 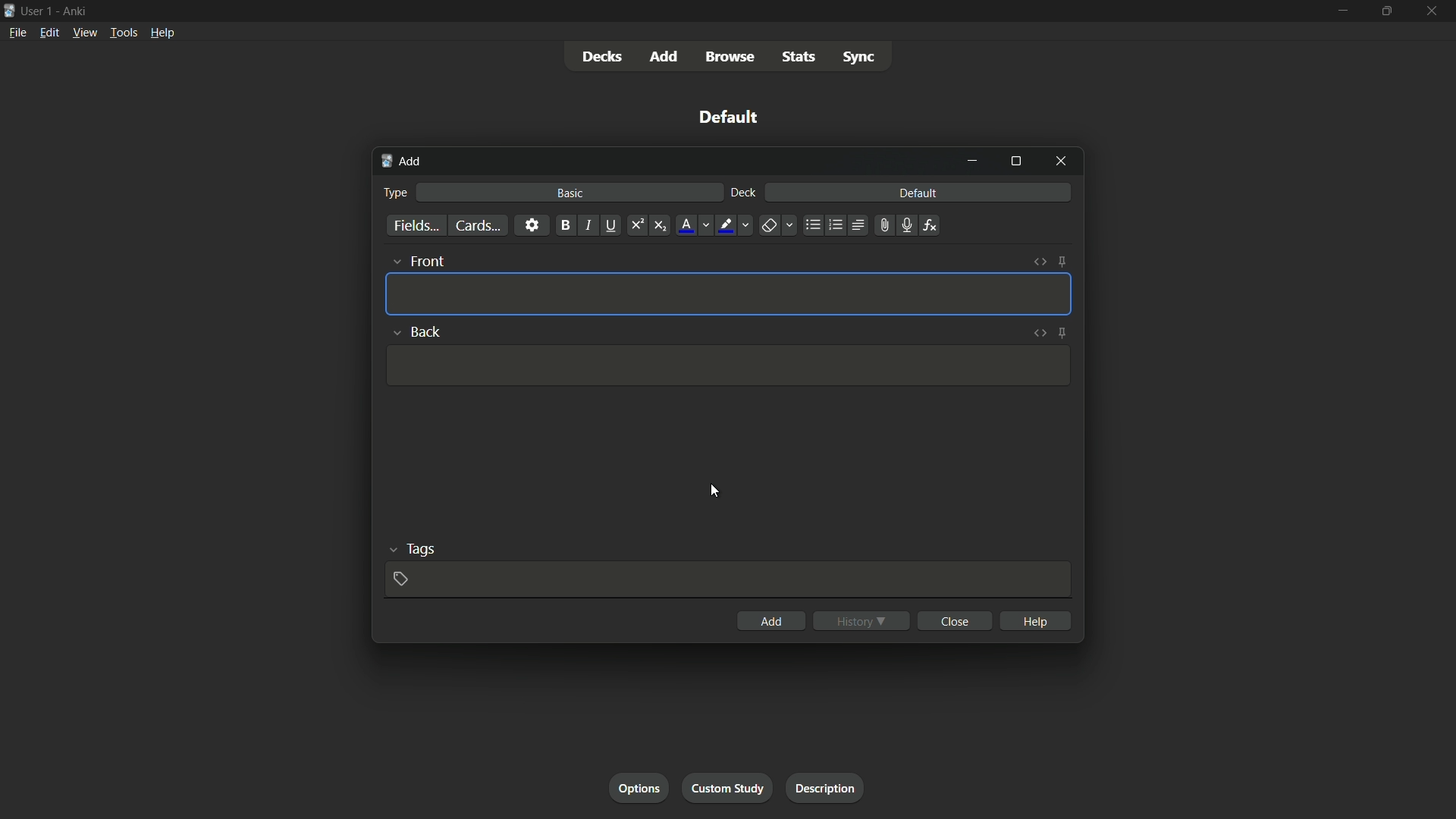 I want to click on bold, so click(x=565, y=225).